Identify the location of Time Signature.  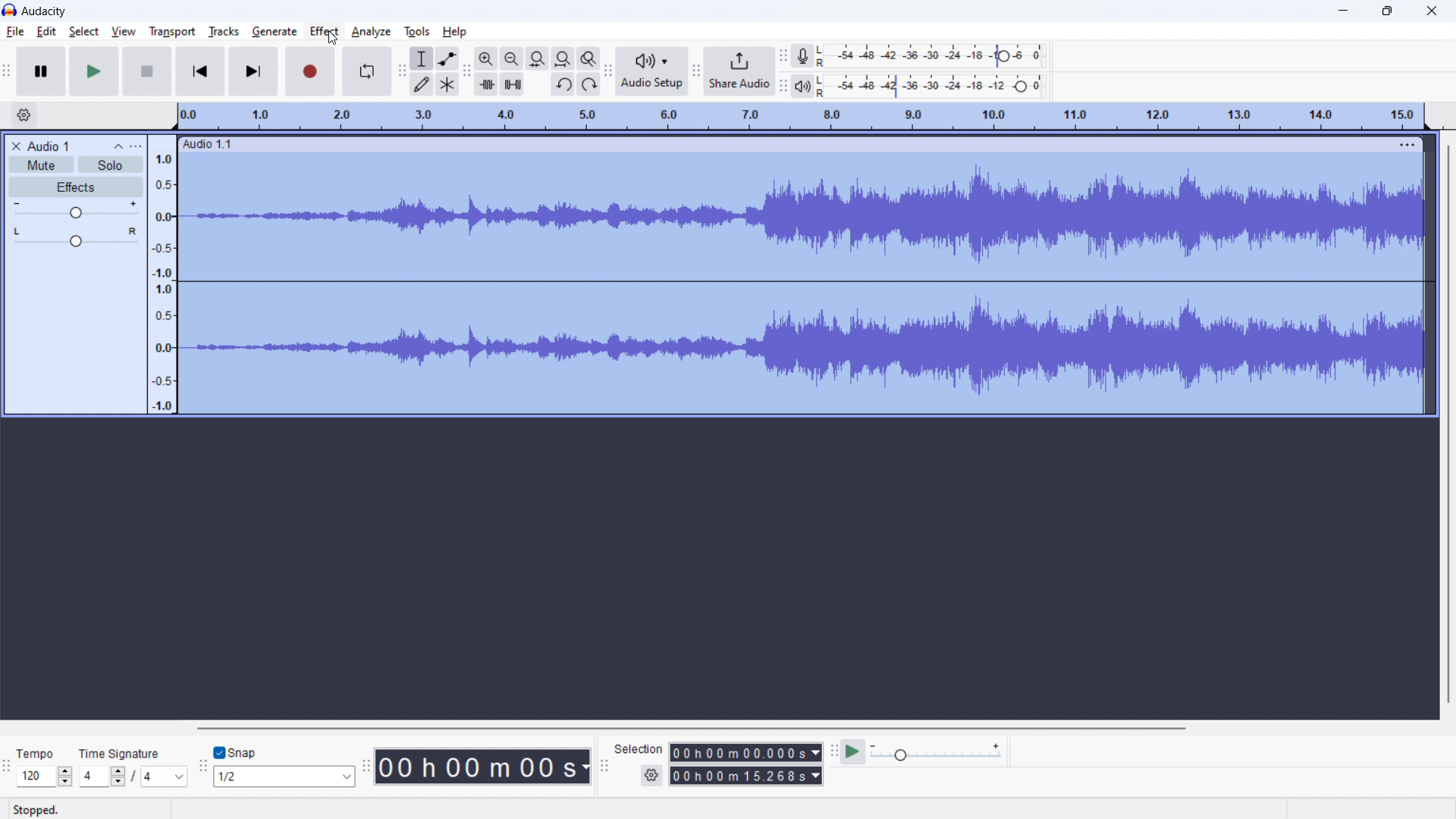
(121, 750).